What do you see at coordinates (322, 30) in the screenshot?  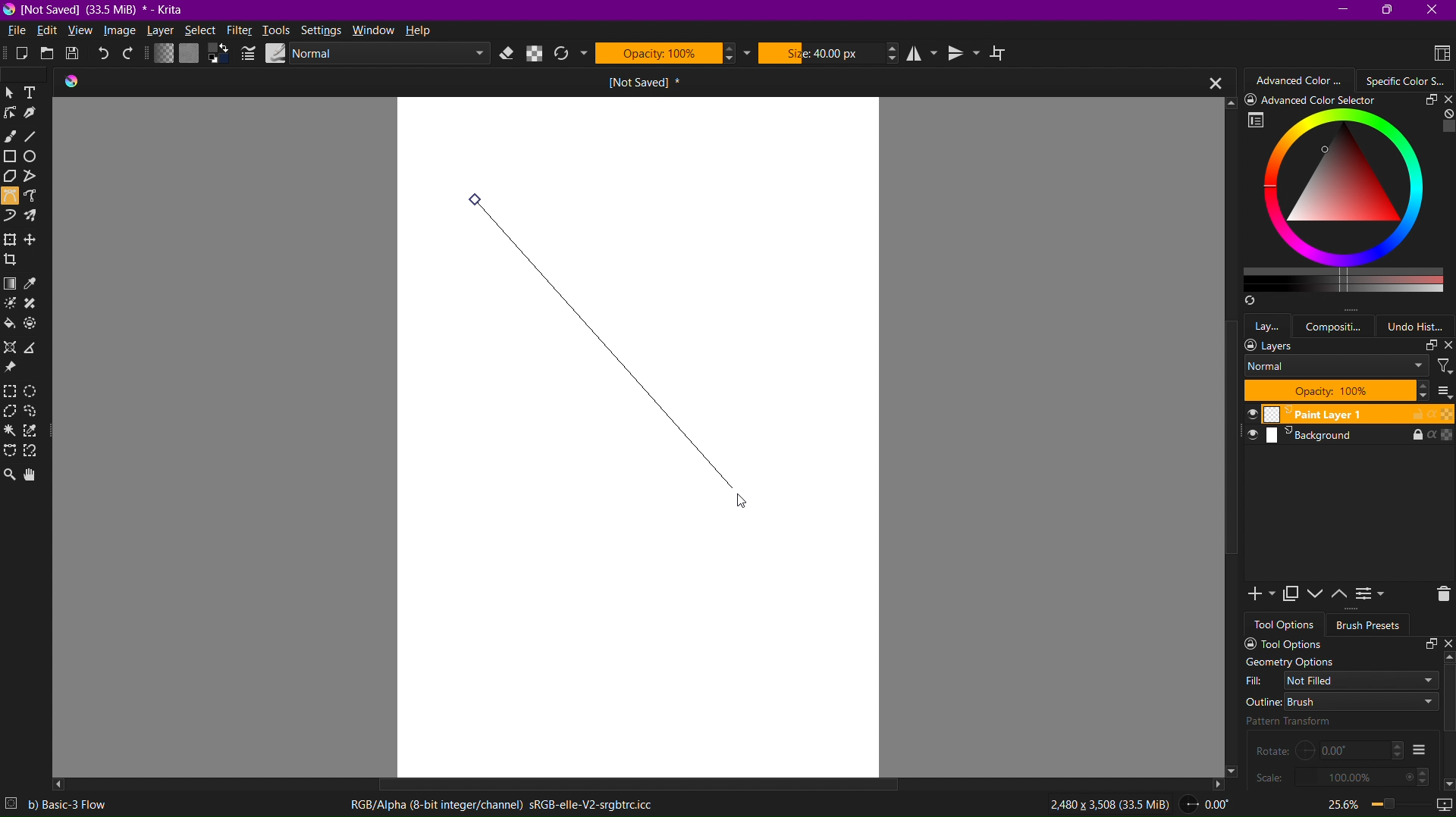 I see `Settings` at bounding box center [322, 30].